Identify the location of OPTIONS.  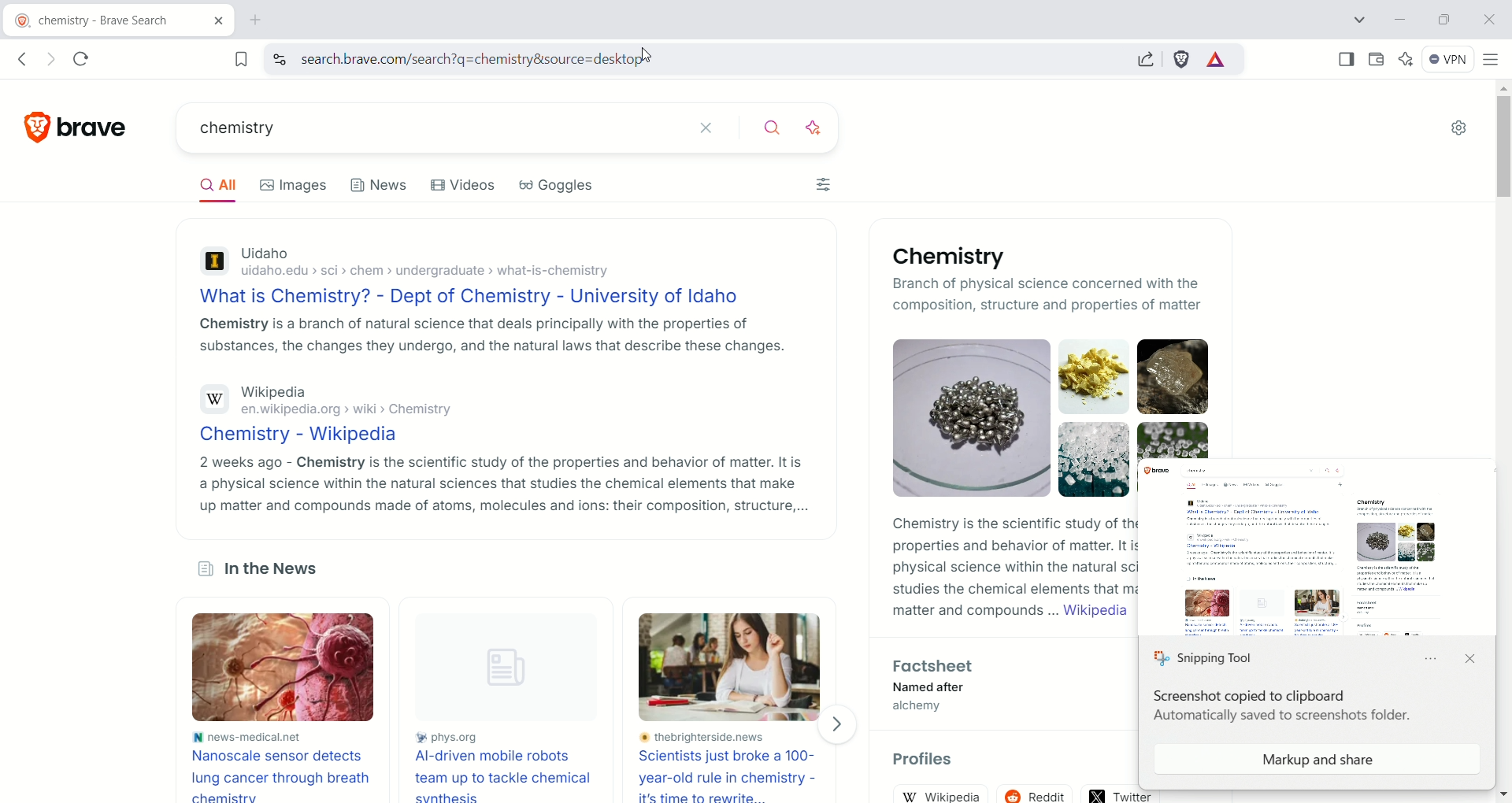
(1435, 661).